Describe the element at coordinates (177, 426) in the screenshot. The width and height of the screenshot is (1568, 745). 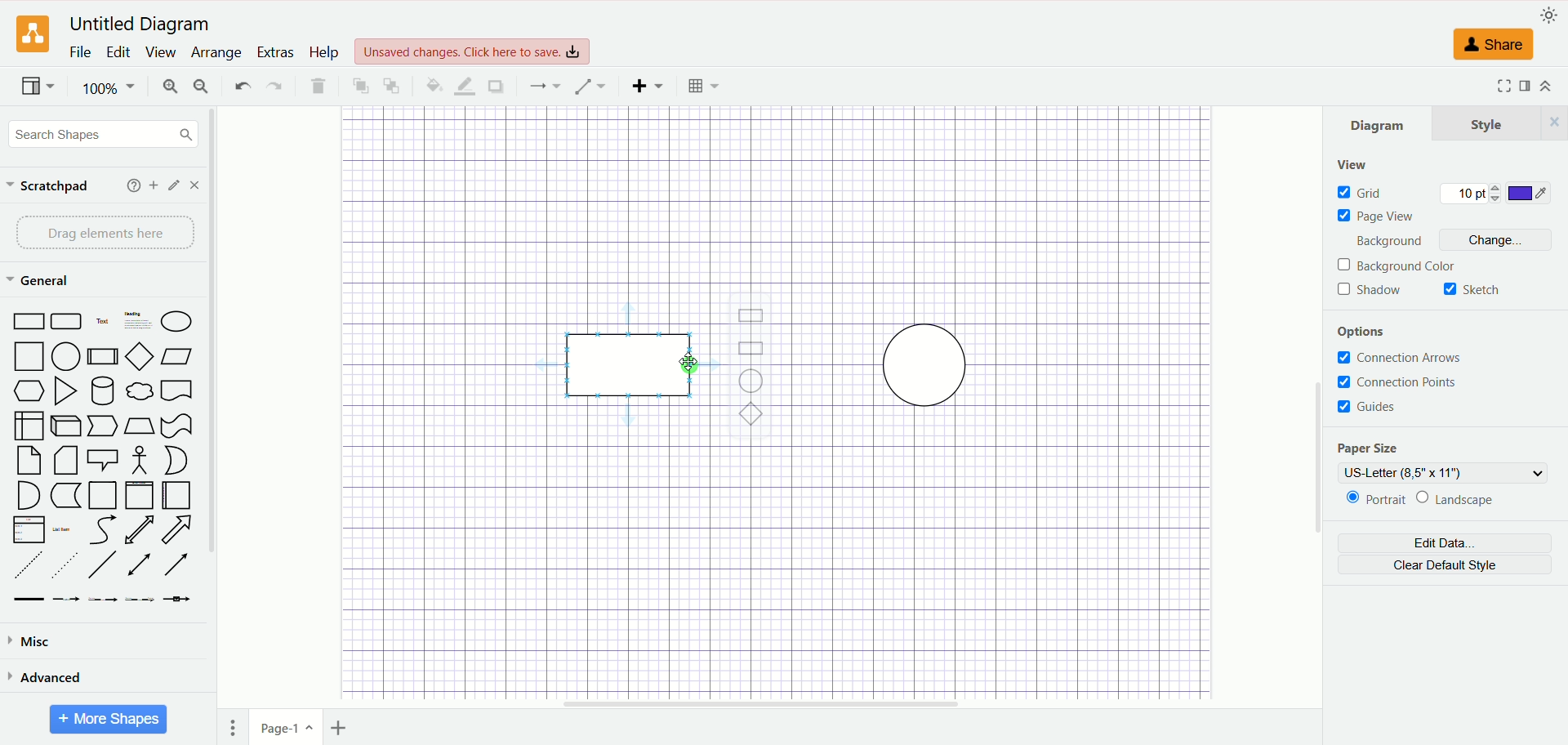
I see `Irregular Flag` at that location.